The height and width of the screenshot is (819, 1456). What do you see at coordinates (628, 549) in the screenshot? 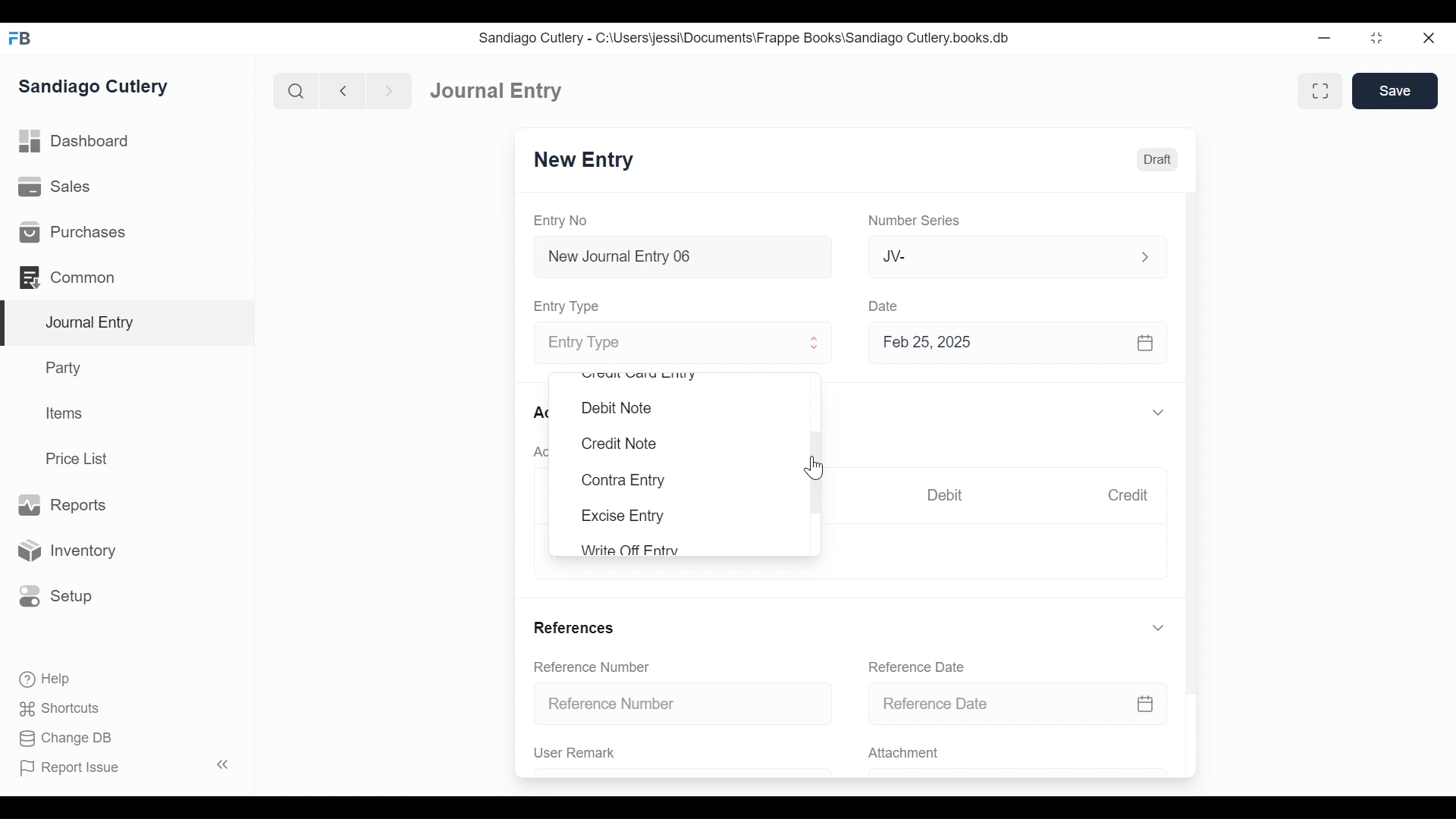
I see `Write Off Entry` at bounding box center [628, 549].